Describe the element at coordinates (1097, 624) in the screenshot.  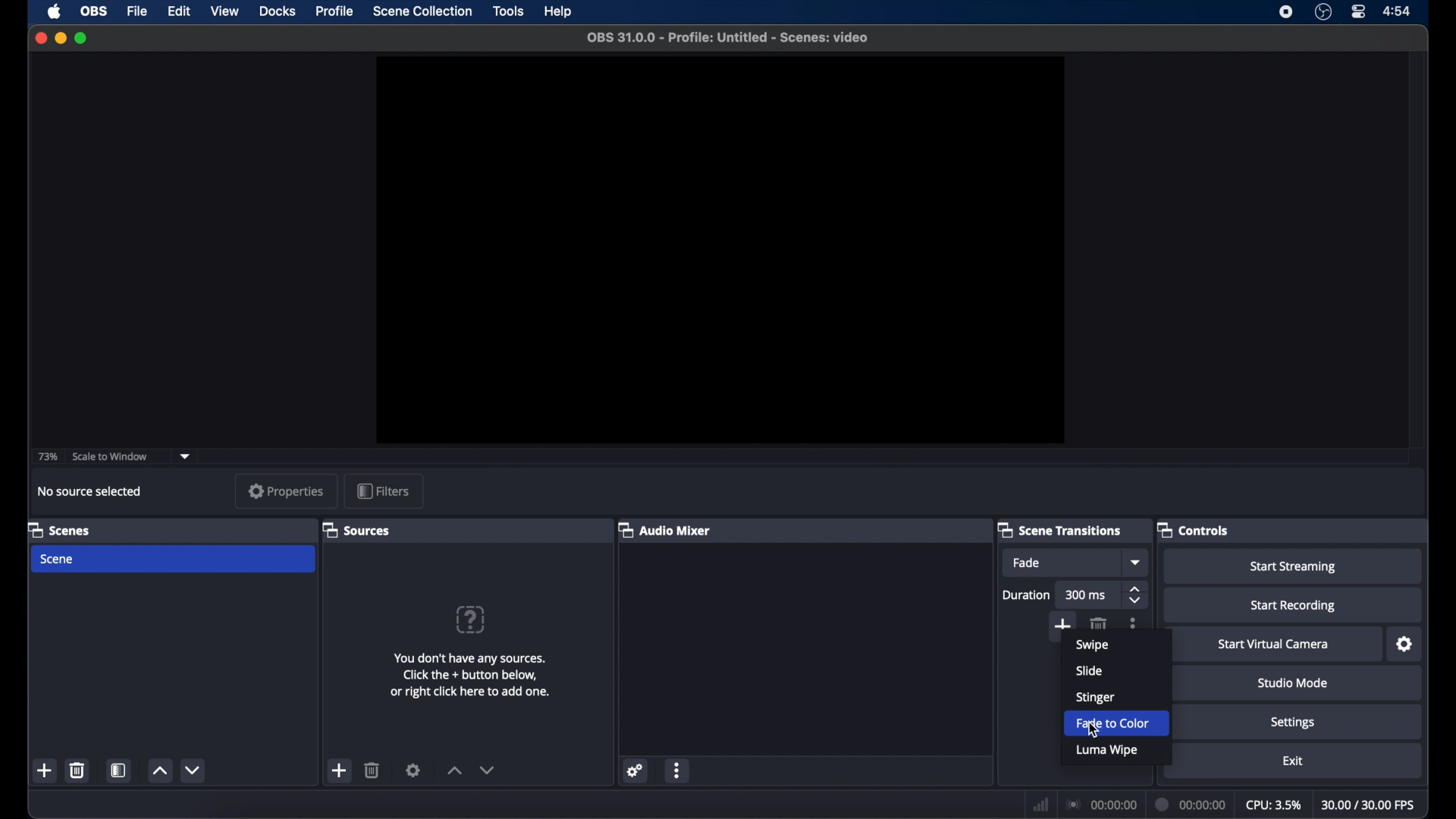
I see `delete` at that location.